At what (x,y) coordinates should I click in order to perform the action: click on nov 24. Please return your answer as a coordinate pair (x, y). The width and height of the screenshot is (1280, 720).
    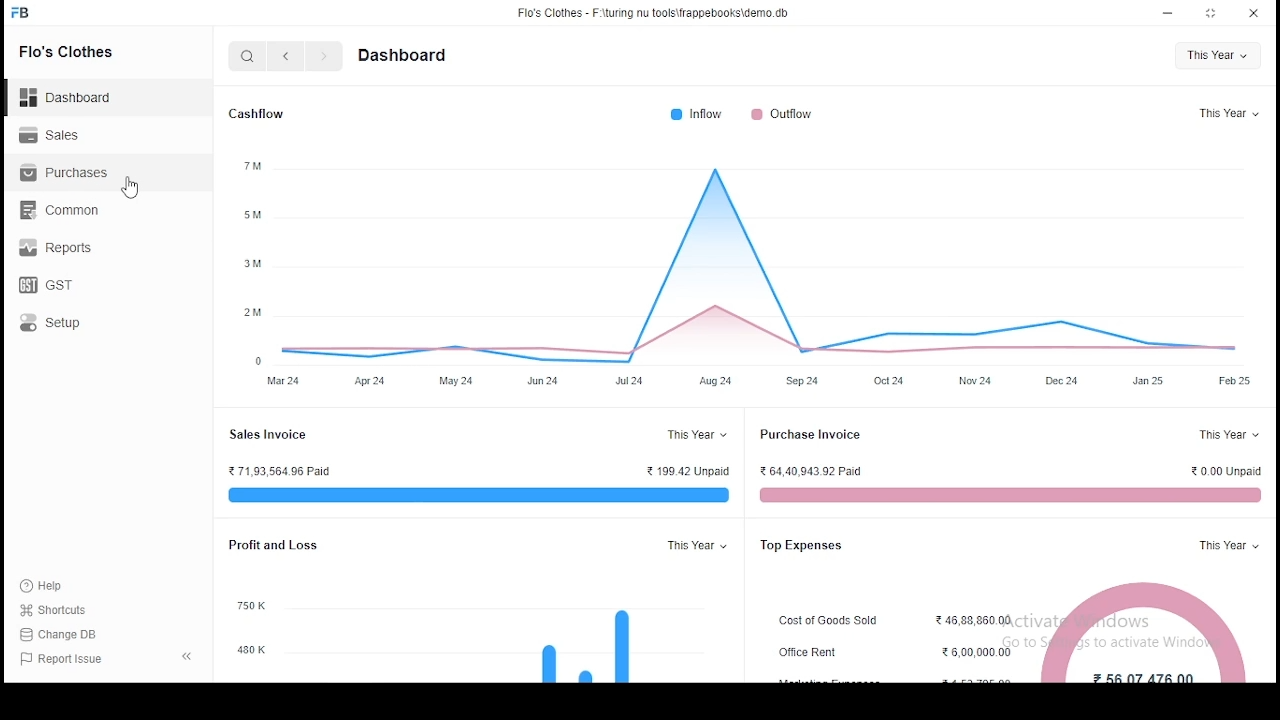
    Looking at the image, I should click on (974, 381).